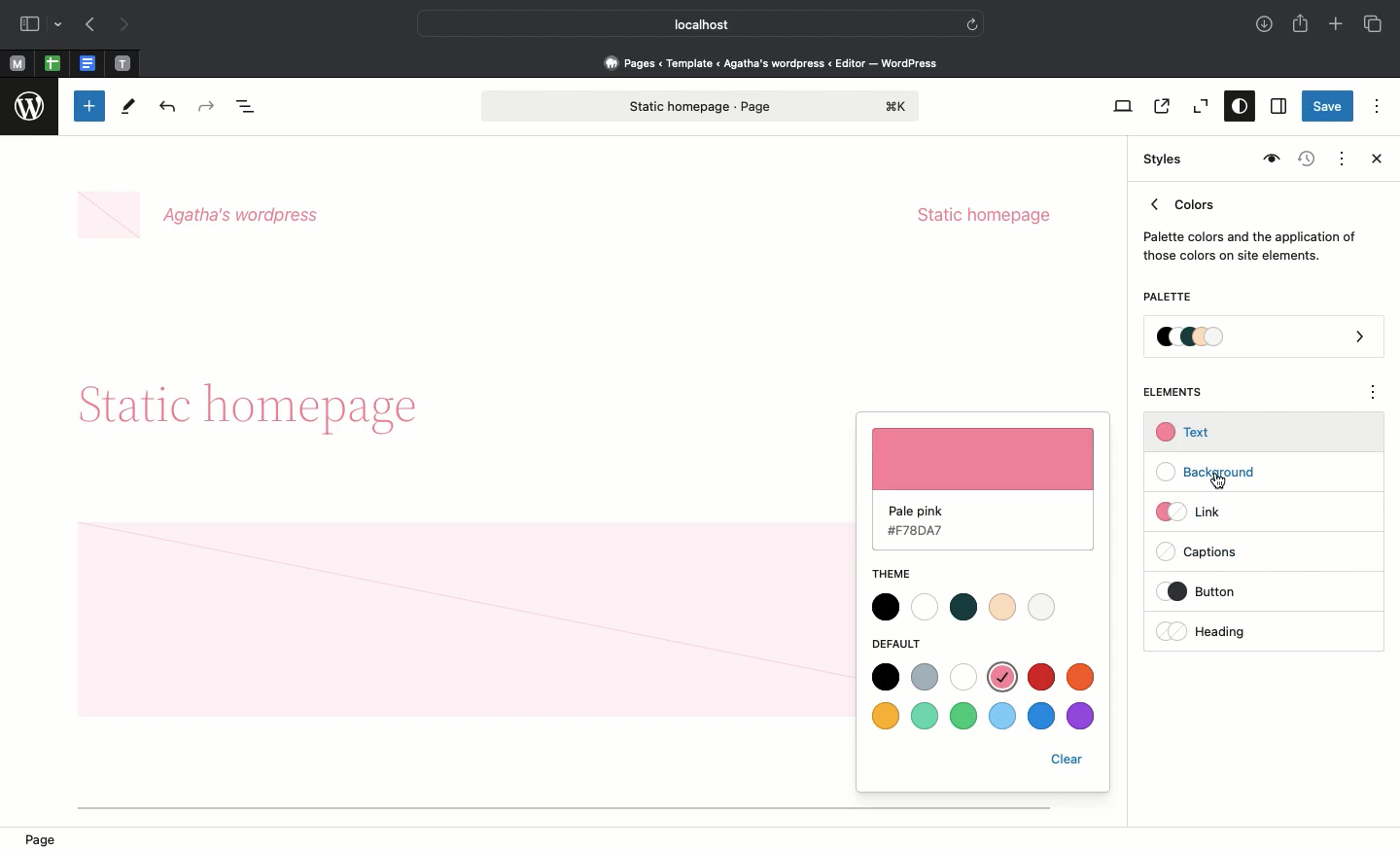  Describe the element at coordinates (1338, 26) in the screenshot. I see `Add new tab` at that location.